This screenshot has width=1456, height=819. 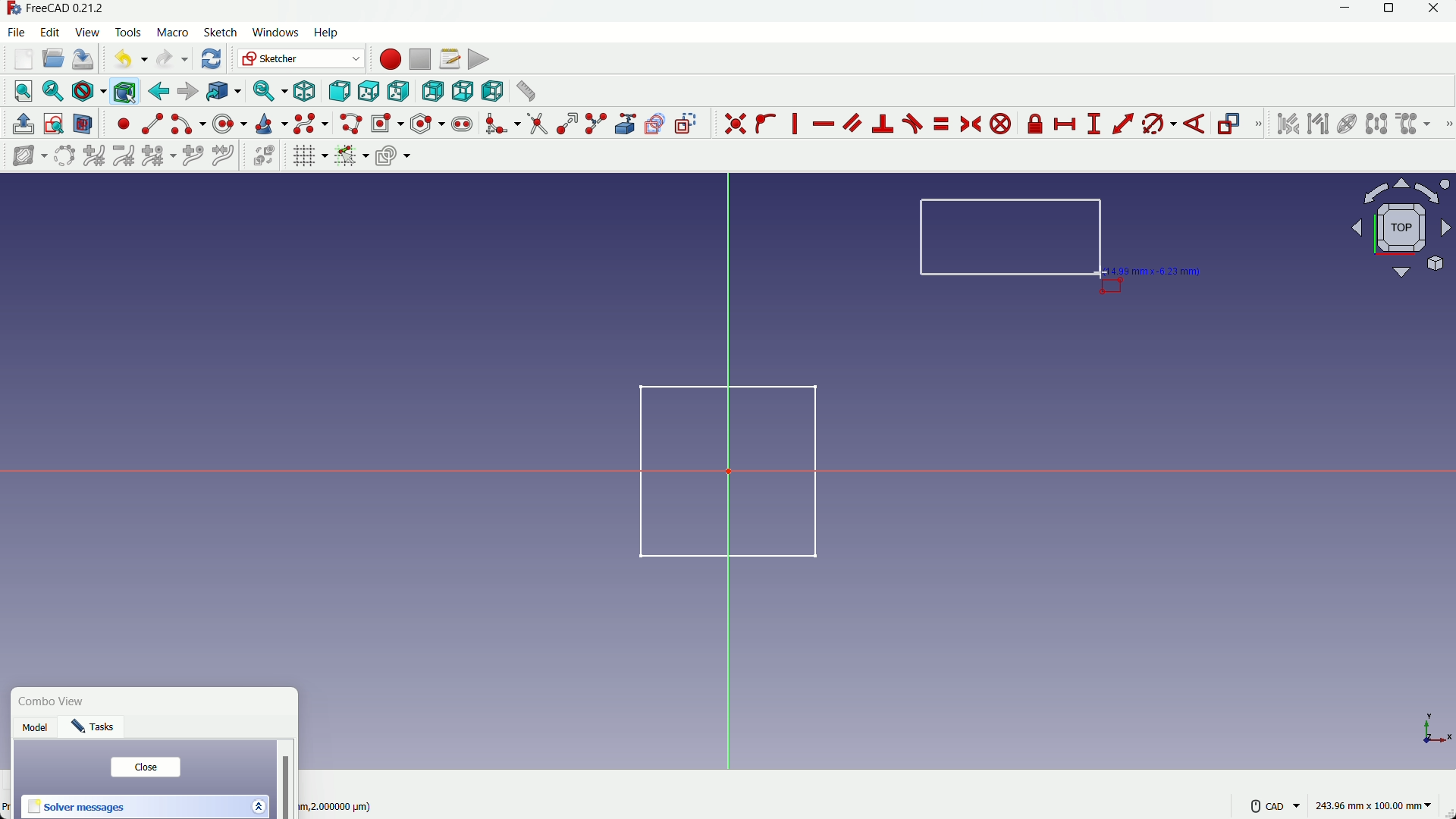 What do you see at coordinates (221, 93) in the screenshot?
I see `link to the object` at bounding box center [221, 93].